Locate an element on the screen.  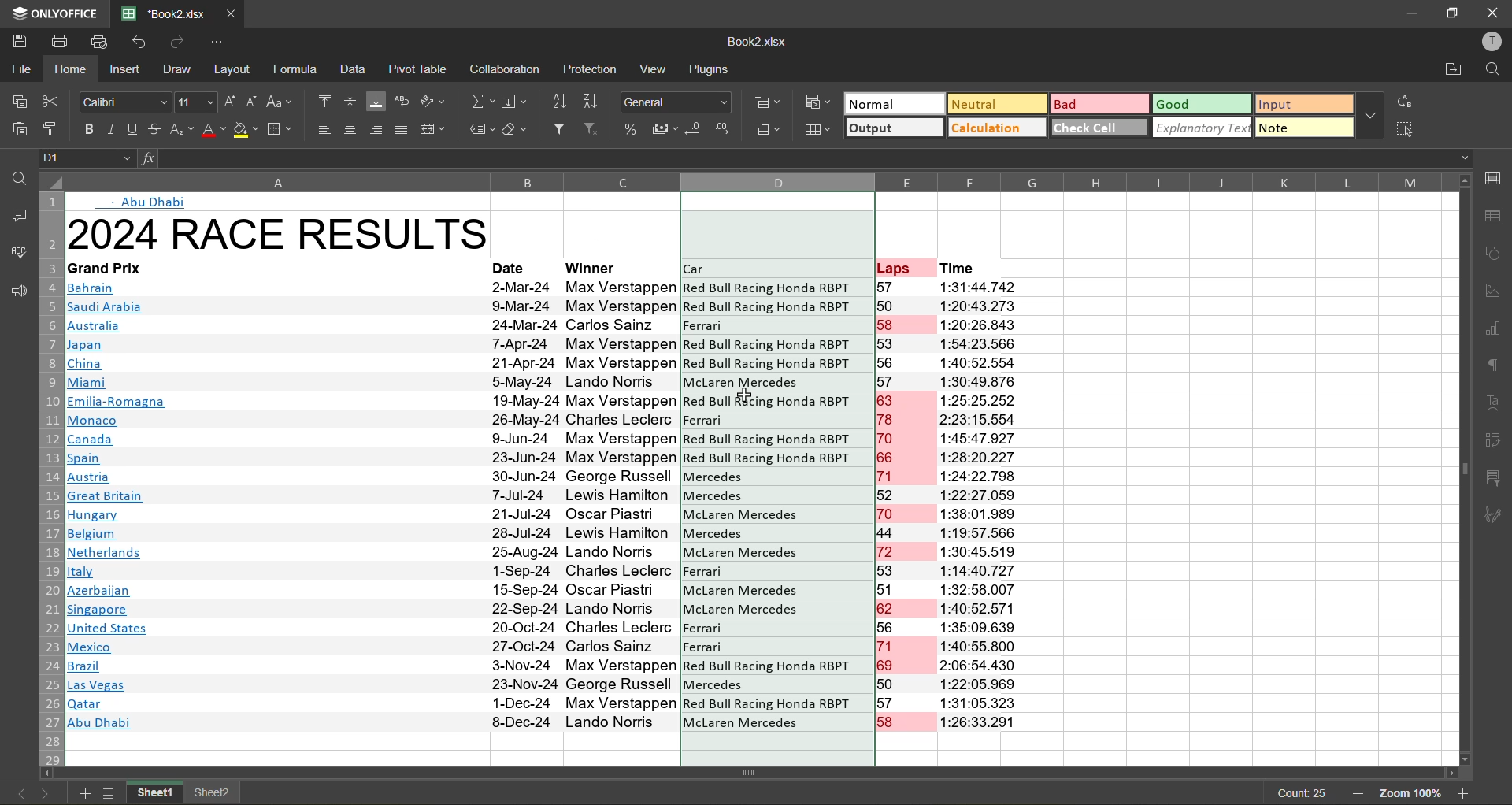
neutral is located at coordinates (996, 103).